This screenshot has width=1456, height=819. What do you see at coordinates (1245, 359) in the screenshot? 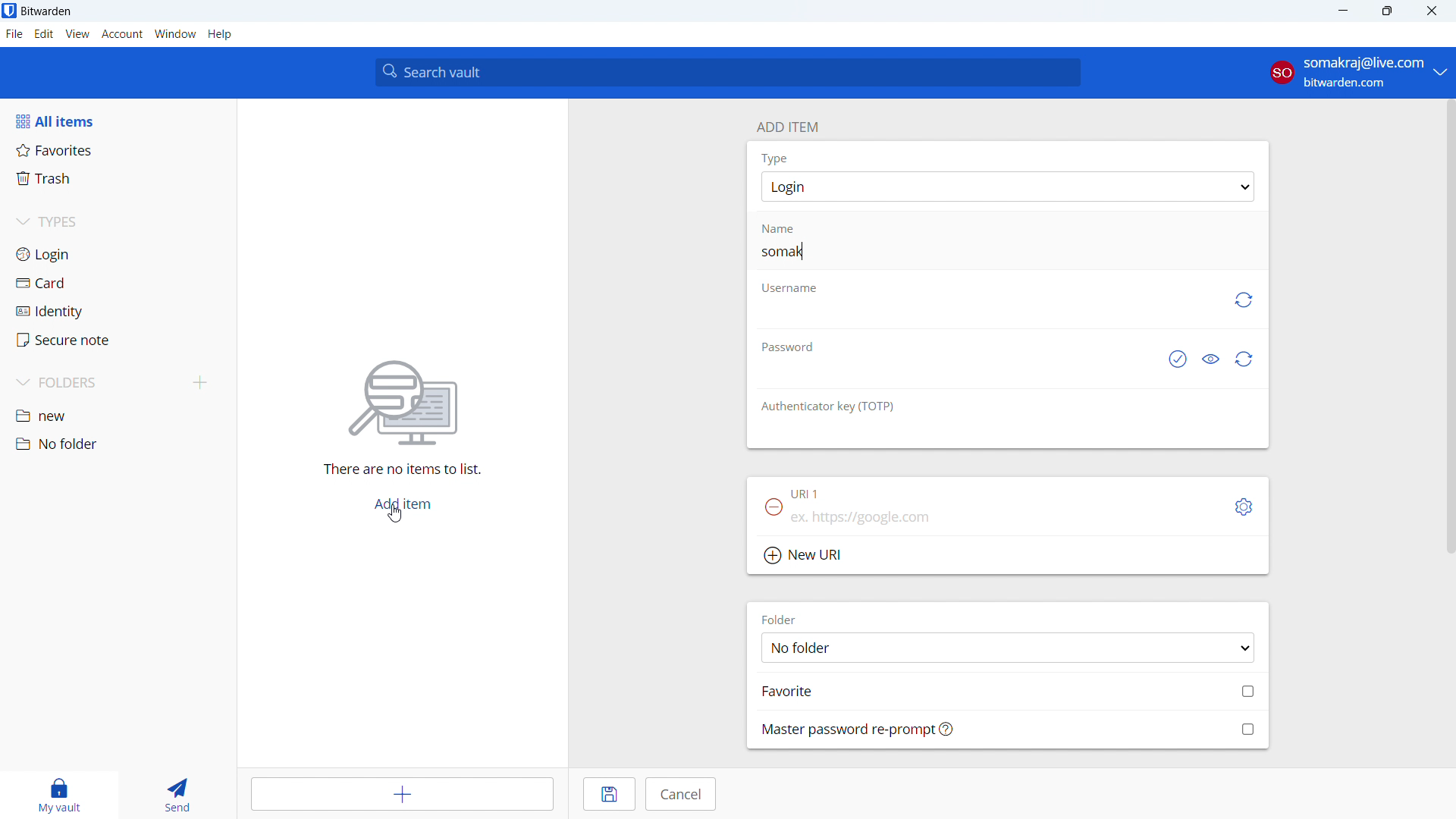
I see `generate password` at bounding box center [1245, 359].